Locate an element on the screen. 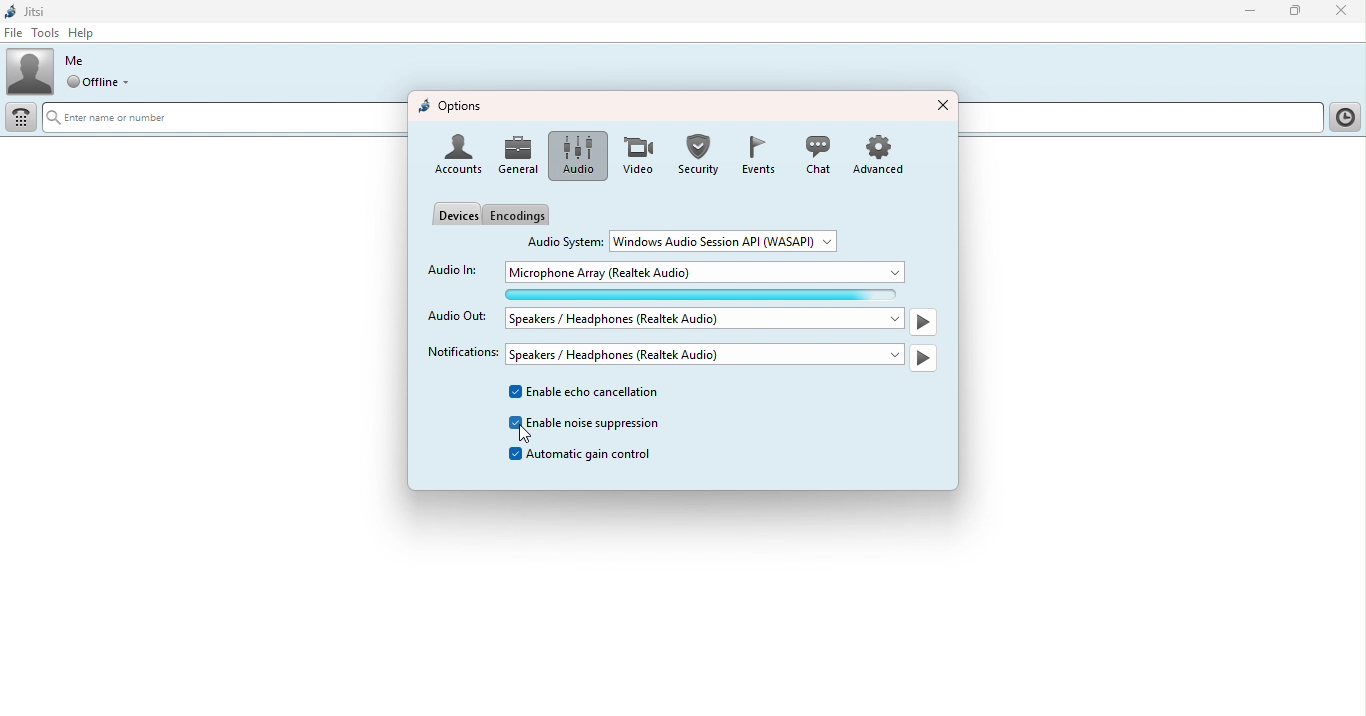 This screenshot has width=1366, height=716. Automatic gain control is located at coordinates (585, 455).